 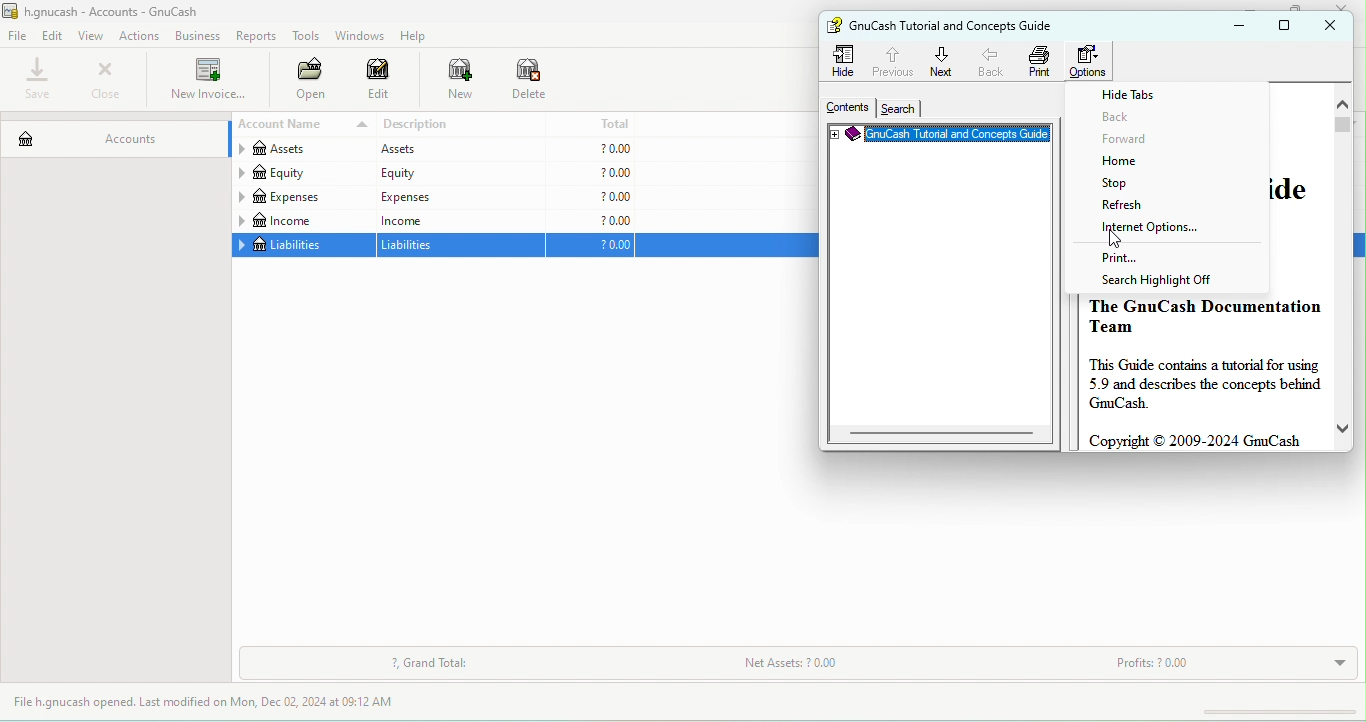 What do you see at coordinates (1336, 26) in the screenshot?
I see `close` at bounding box center [1336, 26].